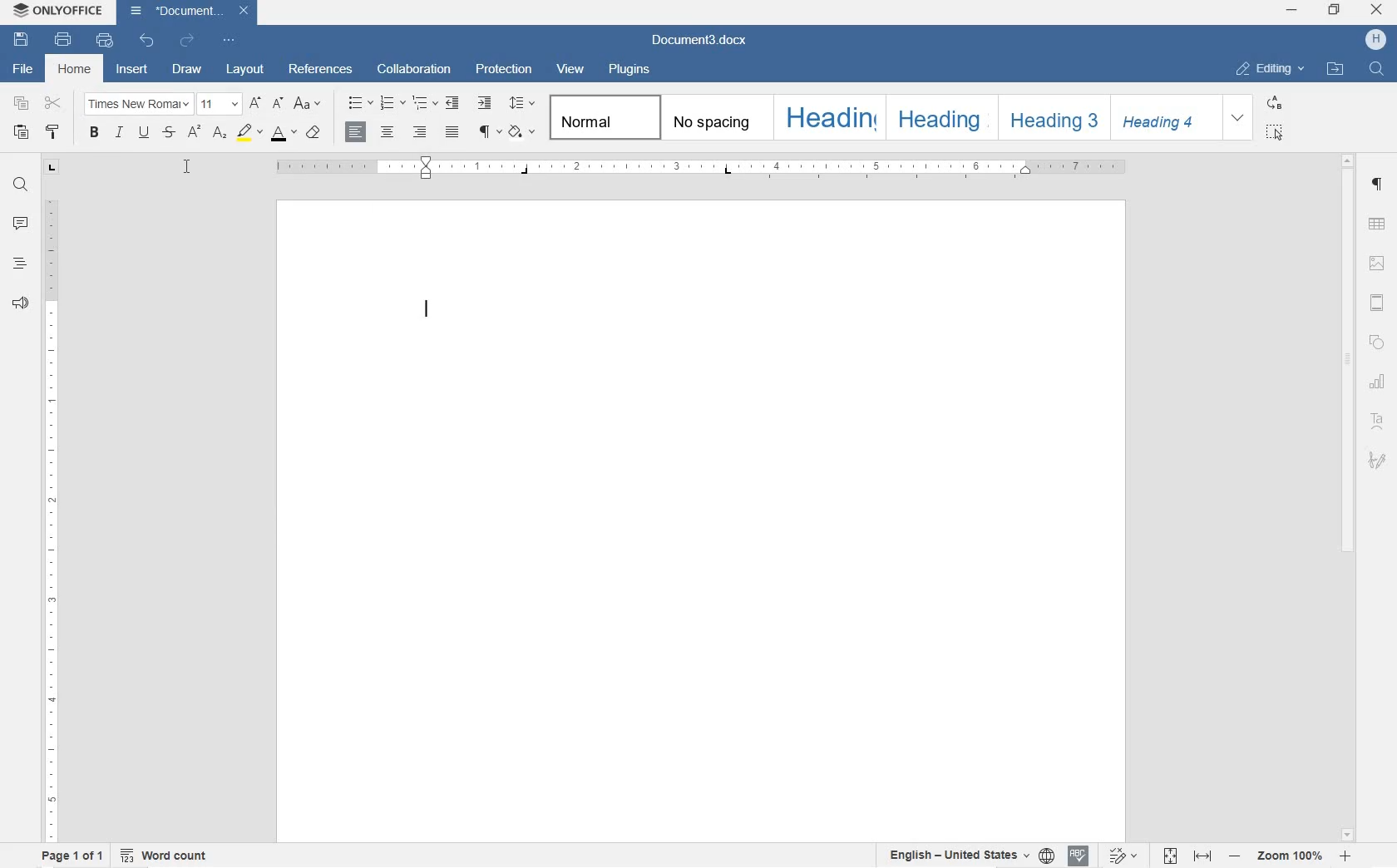  What do you see at coordinates (523, 131) in the screenshot?
I see `SHADING` at bounding box center [523, 131].